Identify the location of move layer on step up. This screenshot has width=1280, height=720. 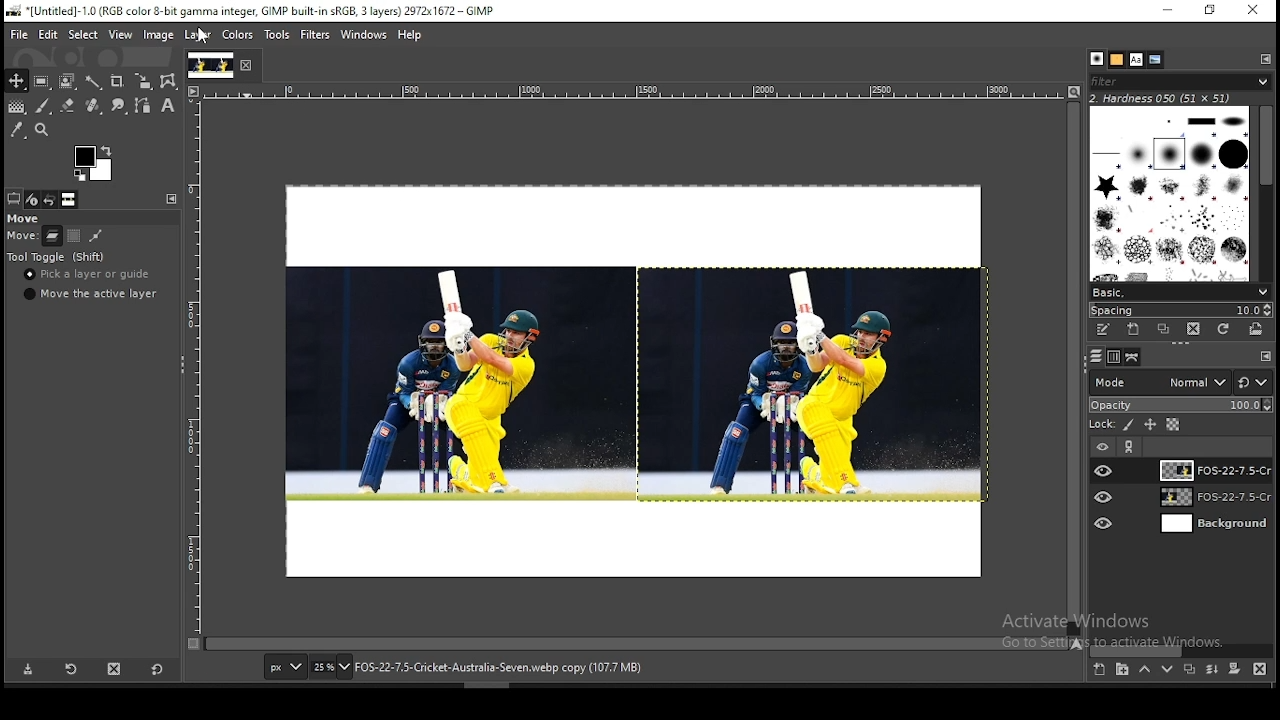
(1144, 671).